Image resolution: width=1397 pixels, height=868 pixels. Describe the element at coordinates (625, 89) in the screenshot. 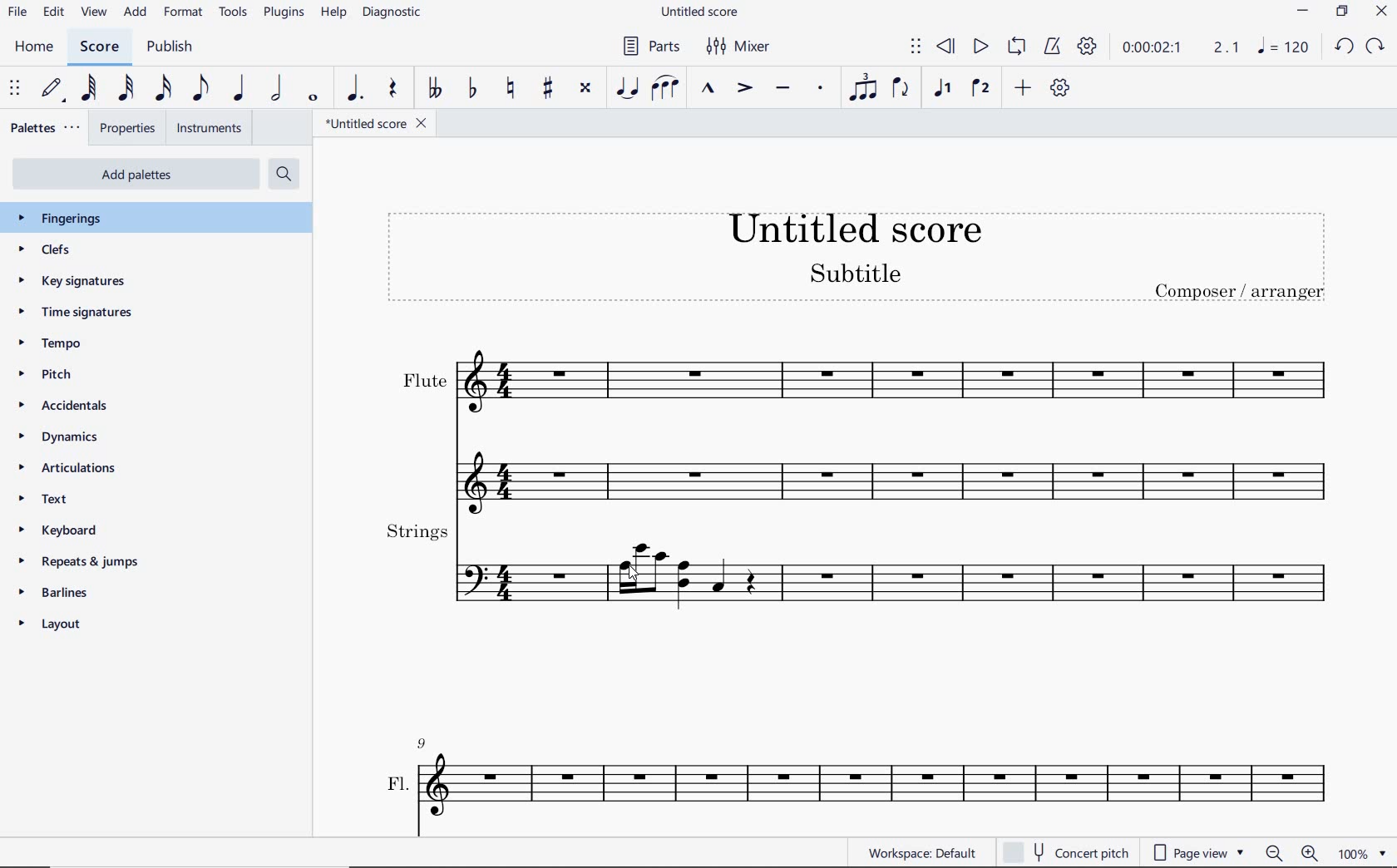

I see `tie` at that location.